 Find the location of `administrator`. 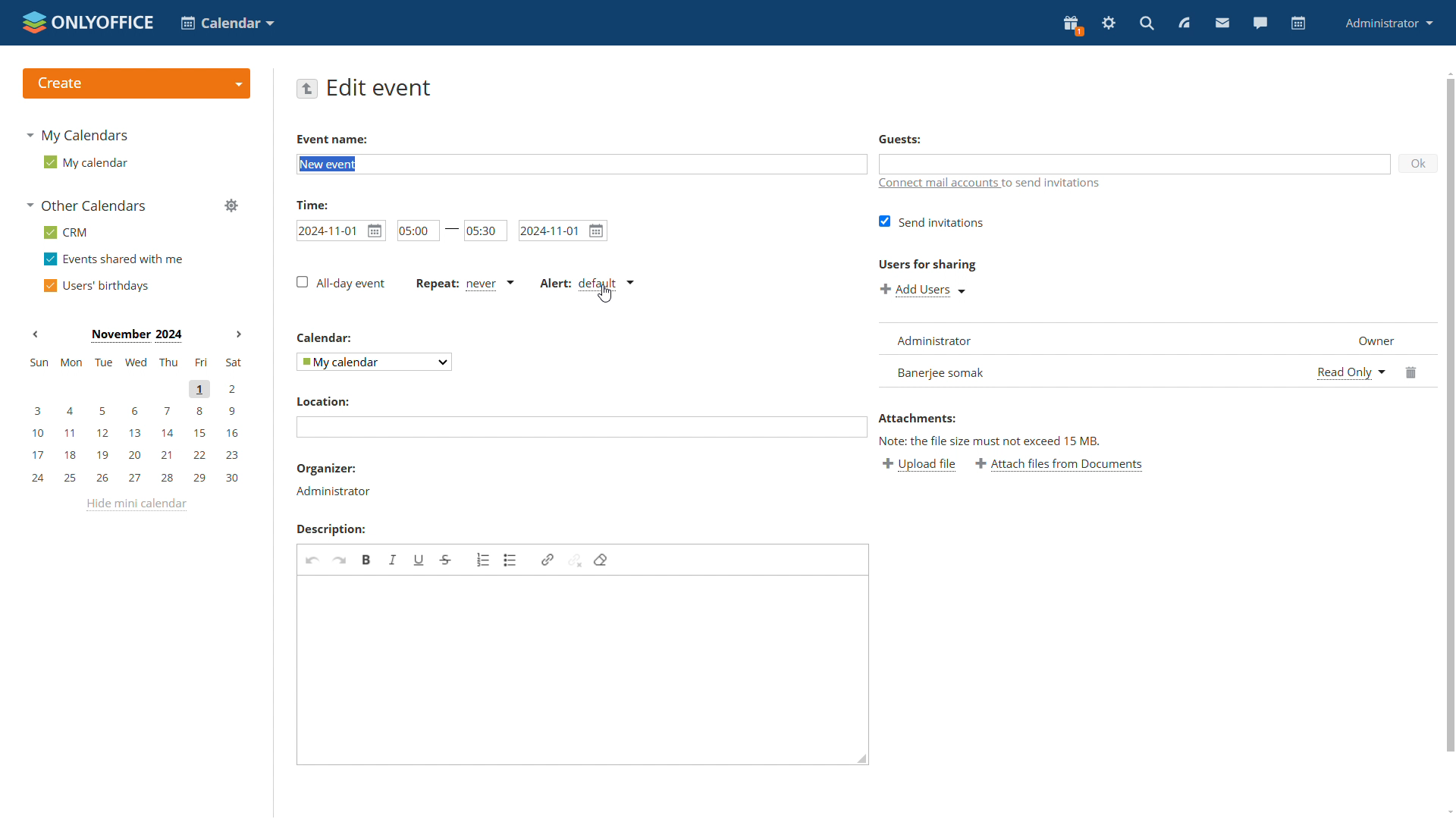

administrator is located at coordinates (1387, 24).